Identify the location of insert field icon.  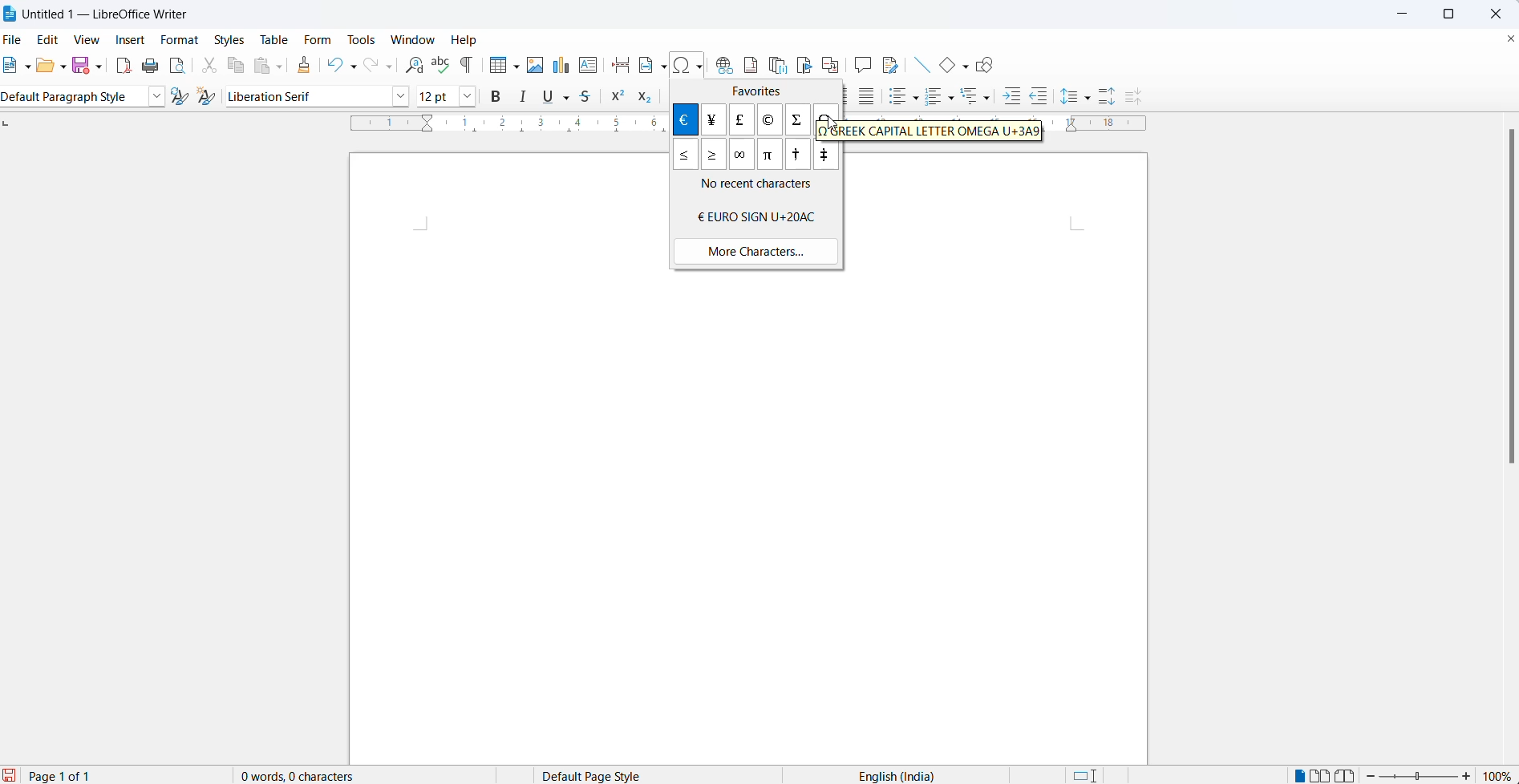
(642, 66).